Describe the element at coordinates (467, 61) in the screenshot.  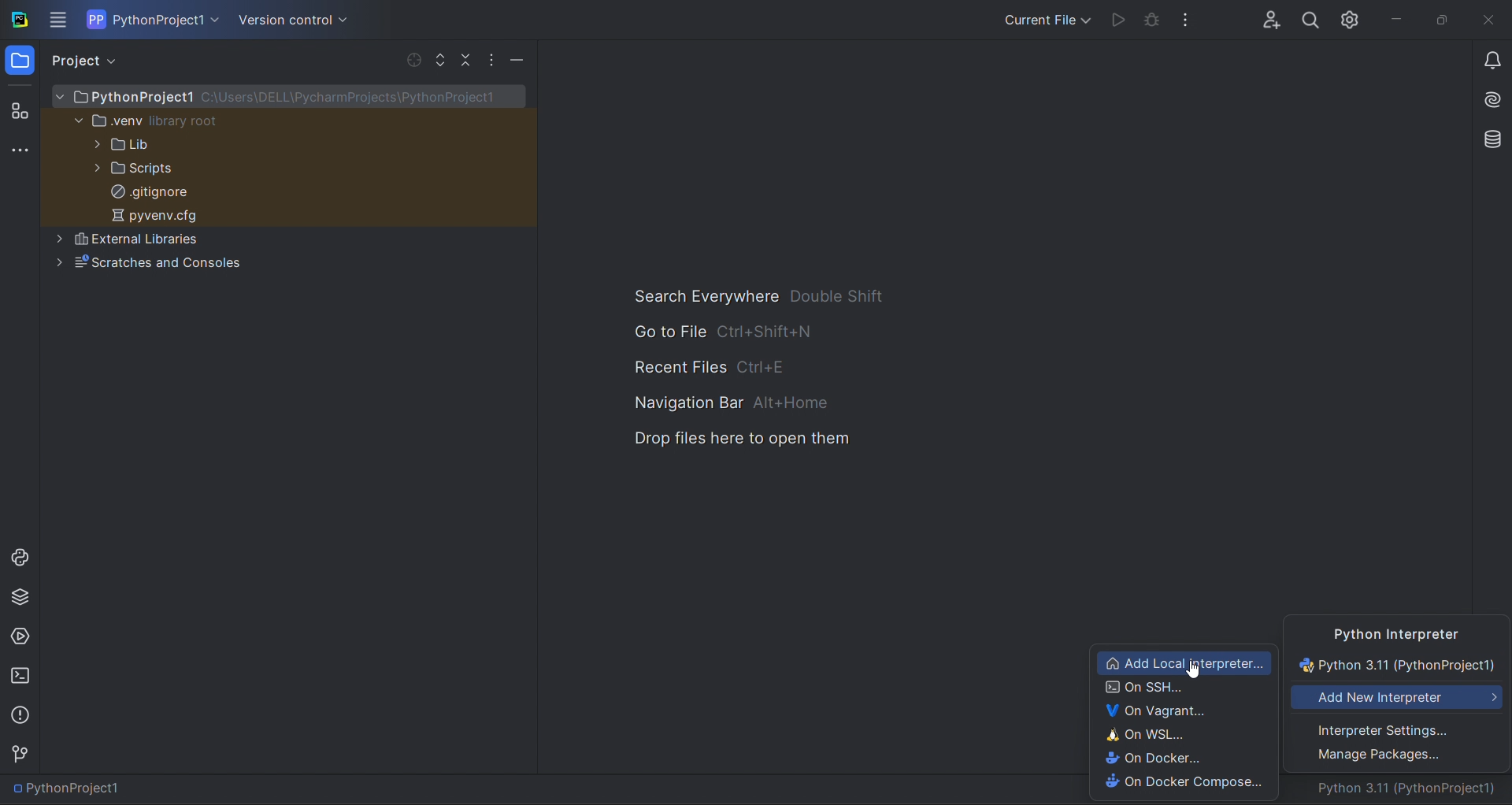
I see `collapse file` at that location.